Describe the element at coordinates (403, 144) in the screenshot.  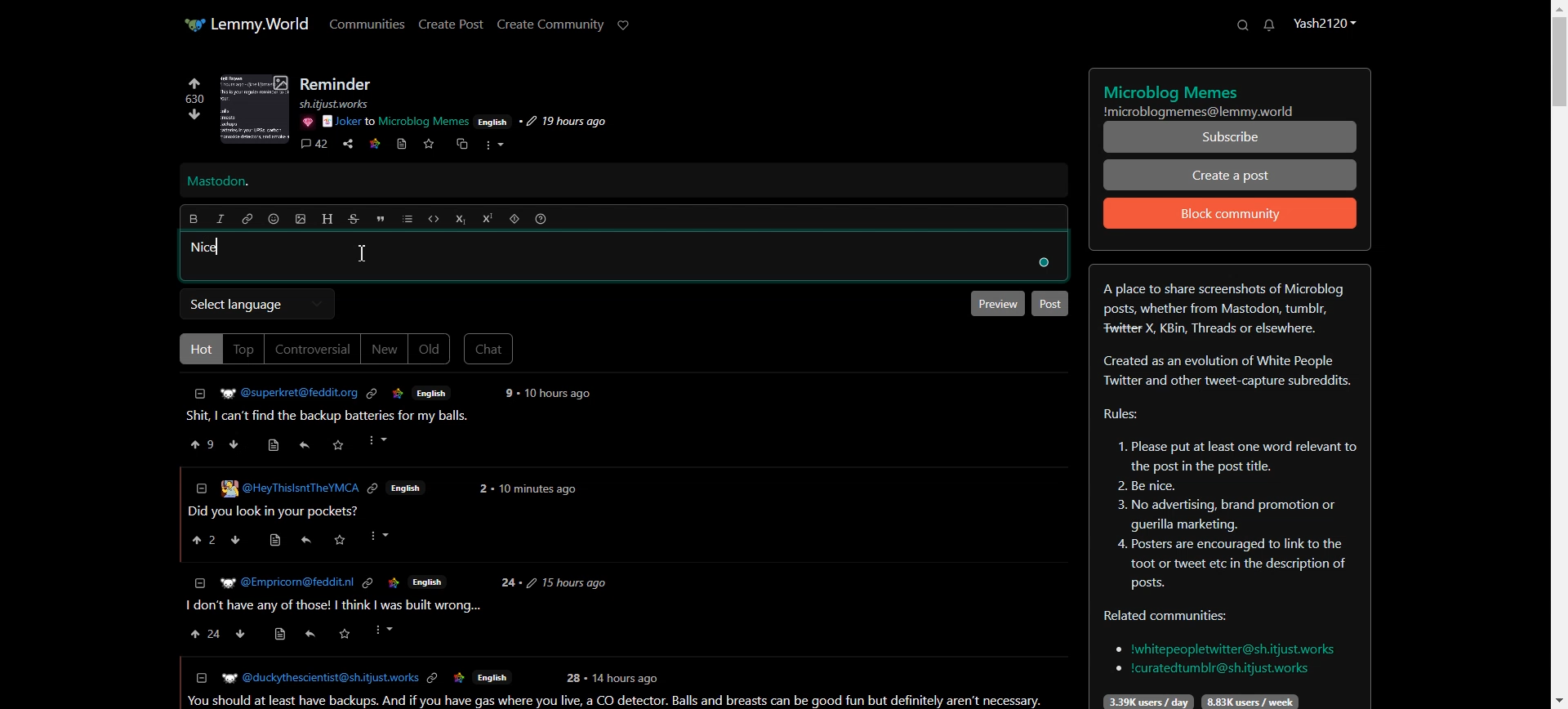
I see `Go to source` at that location.